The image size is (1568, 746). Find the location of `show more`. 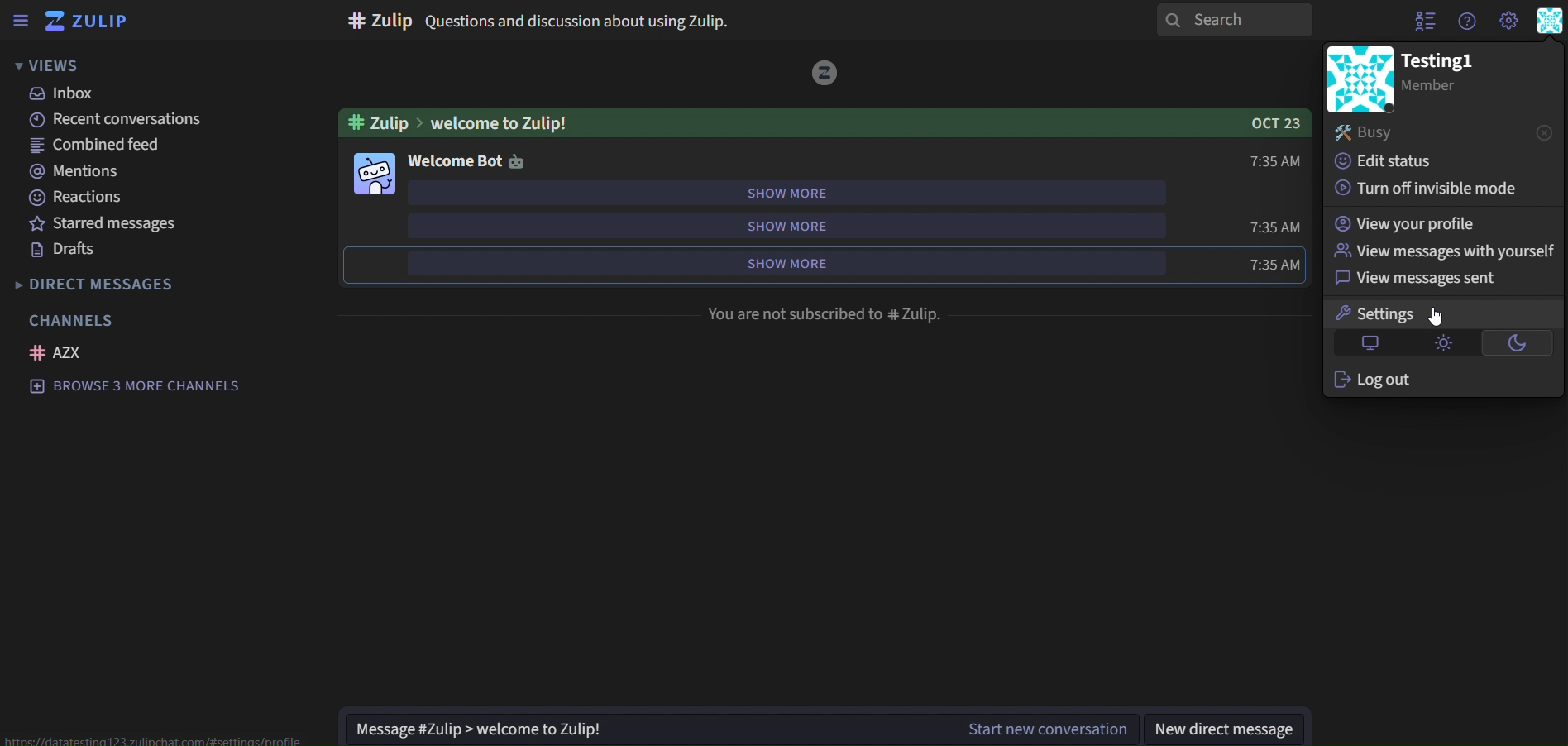

show more is located at coordinates (784, 222).